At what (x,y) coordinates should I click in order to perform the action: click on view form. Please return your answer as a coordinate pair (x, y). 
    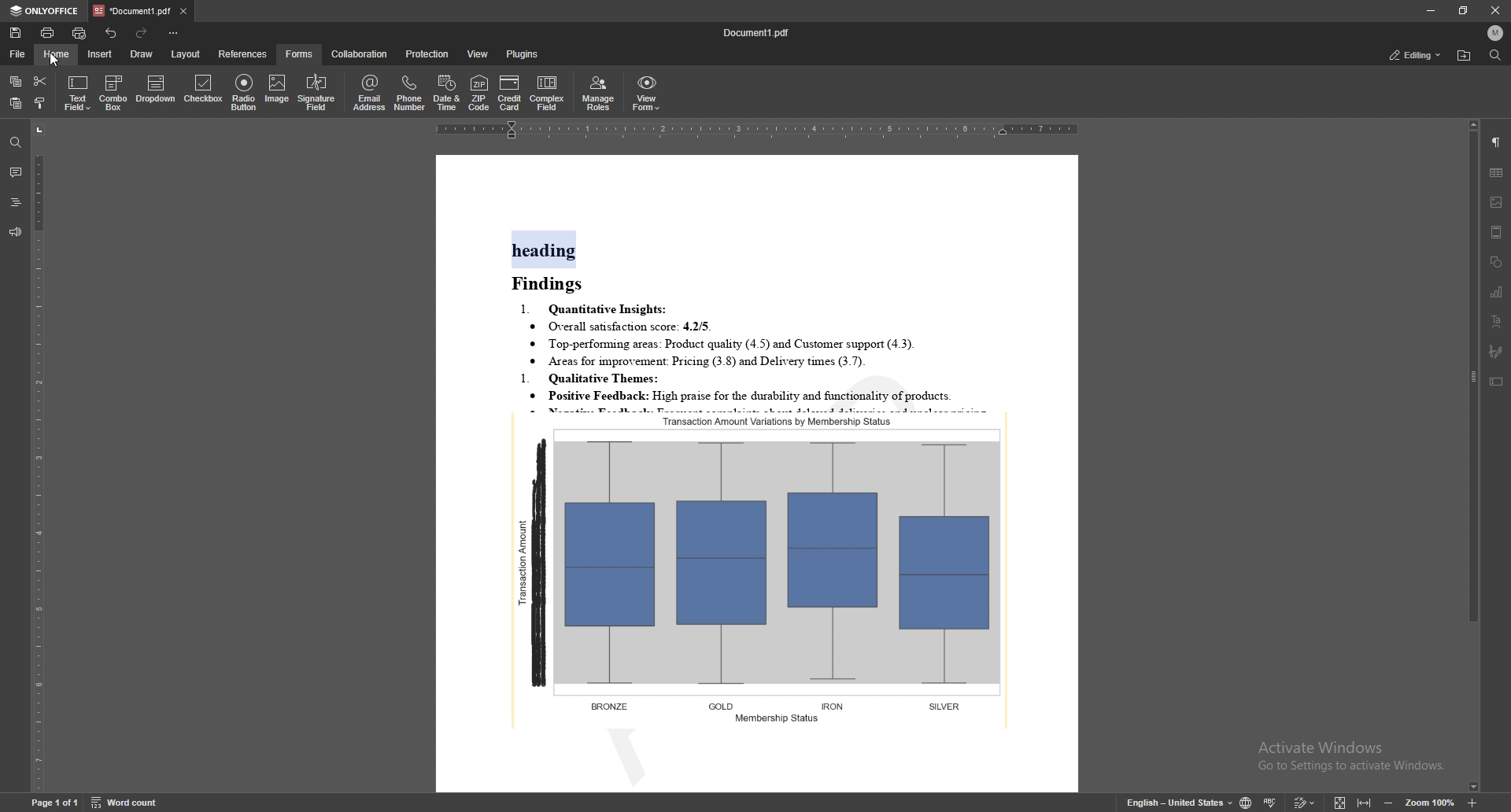
    Looking at the image, I should click on (646, 94).